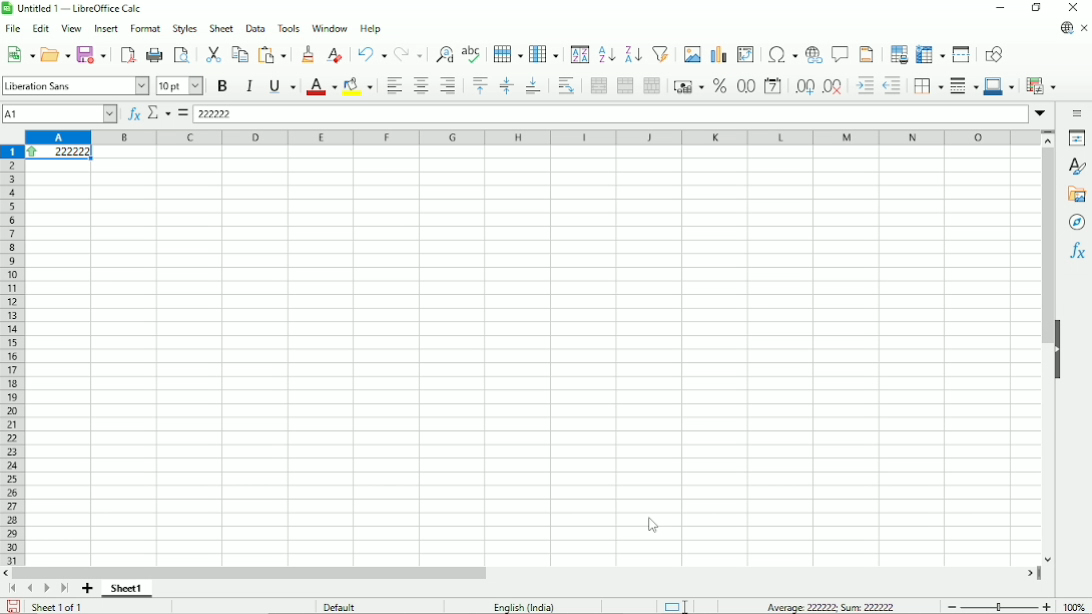 The width and height of the screenshot is (1092, 614). What do you see at coordinates (931, 53) in the screenshot?
I see `Freeze columns and rows` at bounding box center [931, 53].